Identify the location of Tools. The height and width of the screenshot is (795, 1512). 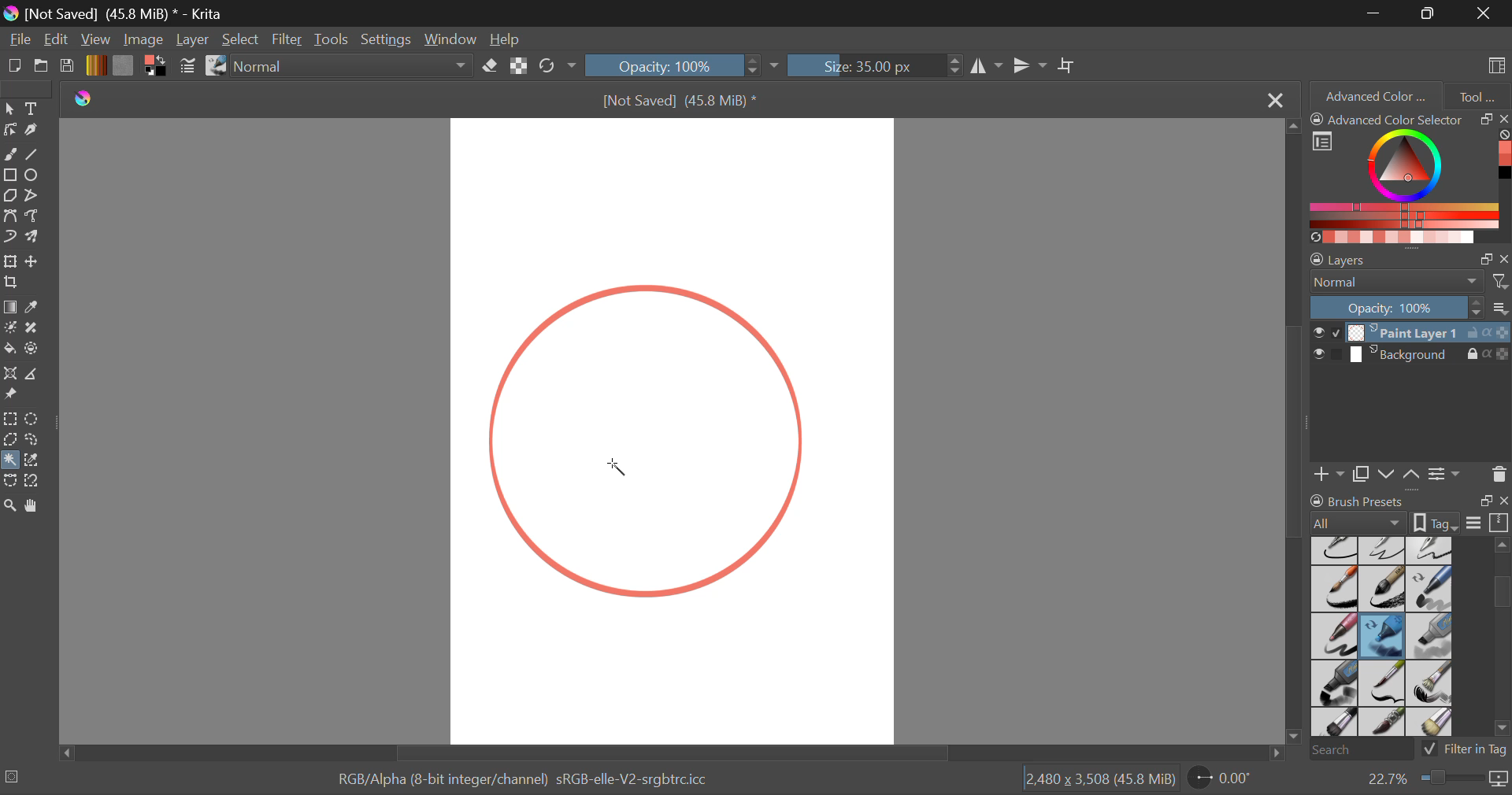
(332, 40).